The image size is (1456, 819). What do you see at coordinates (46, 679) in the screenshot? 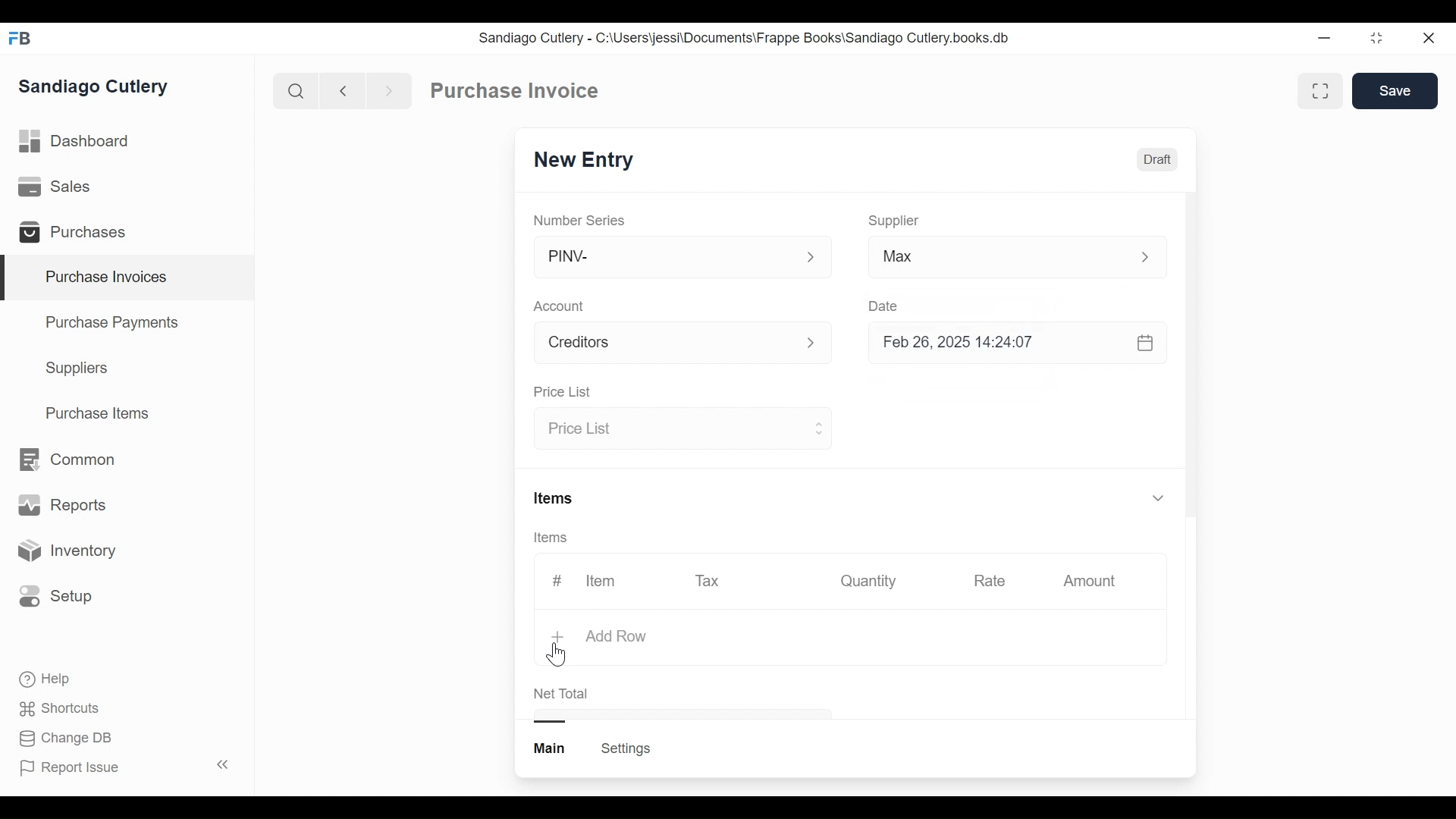
I see `Help` at bounding box center [46, 679].